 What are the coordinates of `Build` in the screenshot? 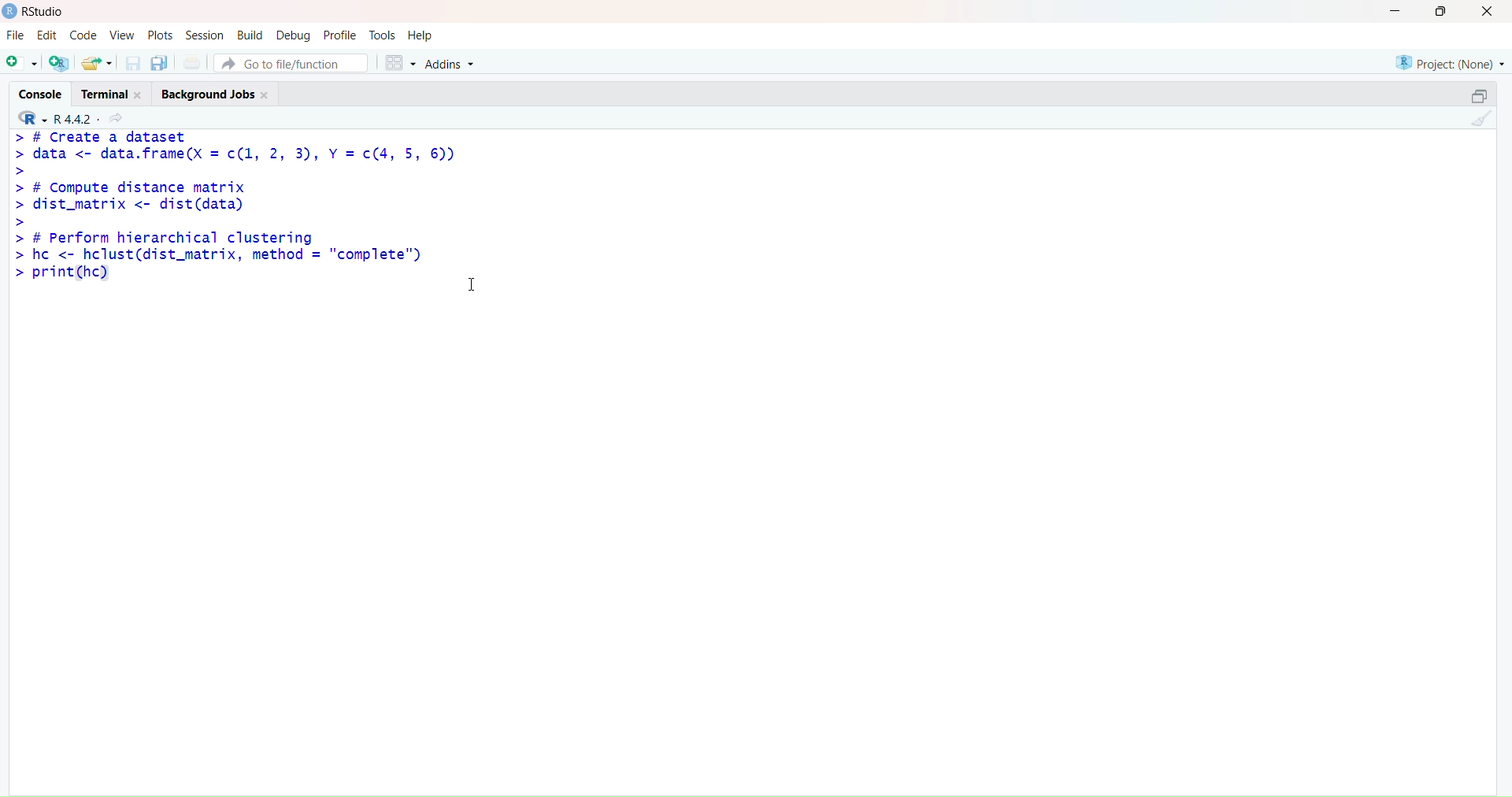 It's located at (250, 36).